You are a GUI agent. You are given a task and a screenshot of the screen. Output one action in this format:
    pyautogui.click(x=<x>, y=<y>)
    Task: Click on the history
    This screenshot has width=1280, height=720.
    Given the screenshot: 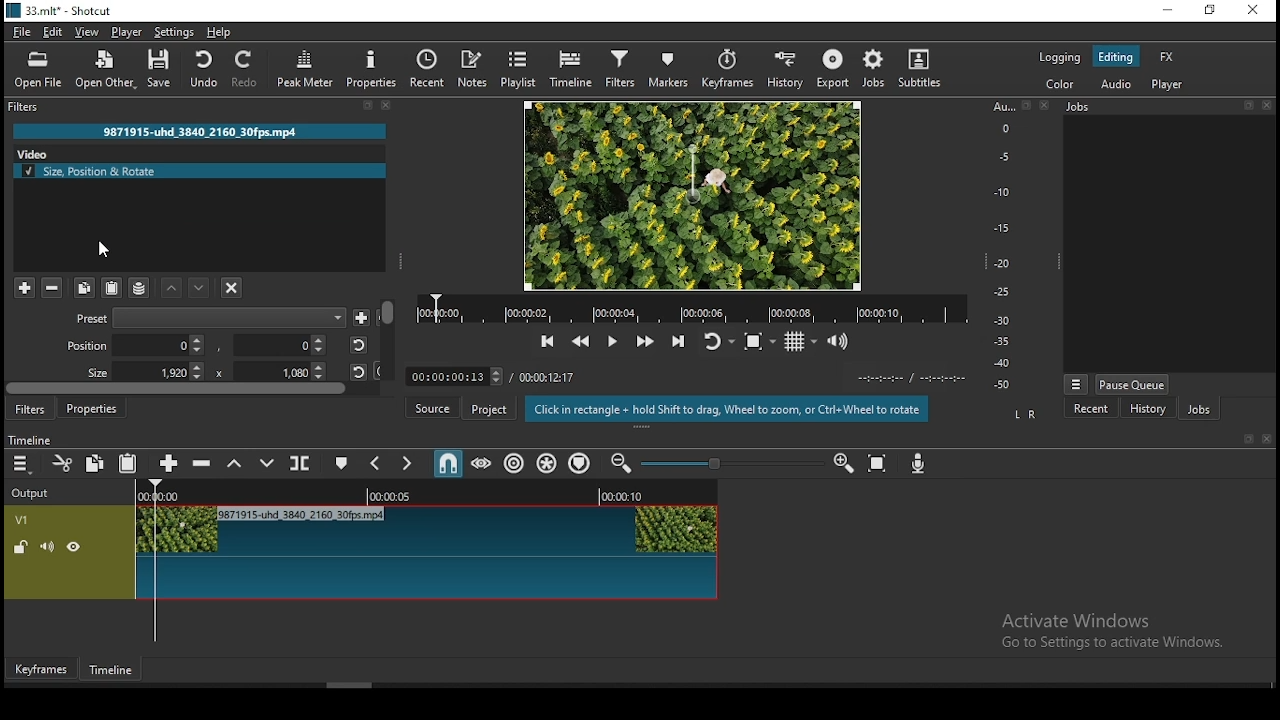 What is the action you would take?
    pyautogui.click(x=1148, y=409)
    